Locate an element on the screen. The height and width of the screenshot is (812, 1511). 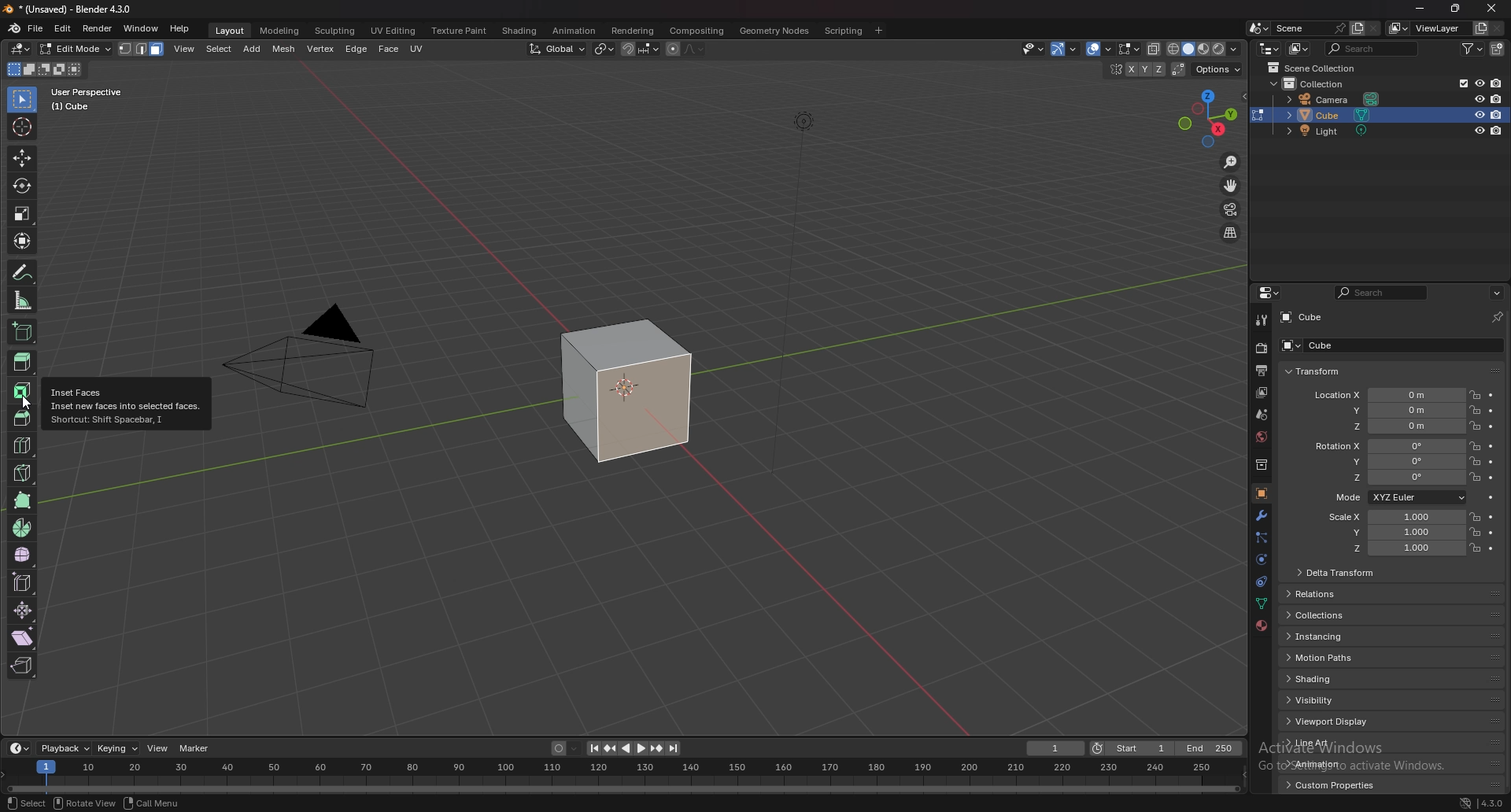
lock is located at coordinates (1474, 532).